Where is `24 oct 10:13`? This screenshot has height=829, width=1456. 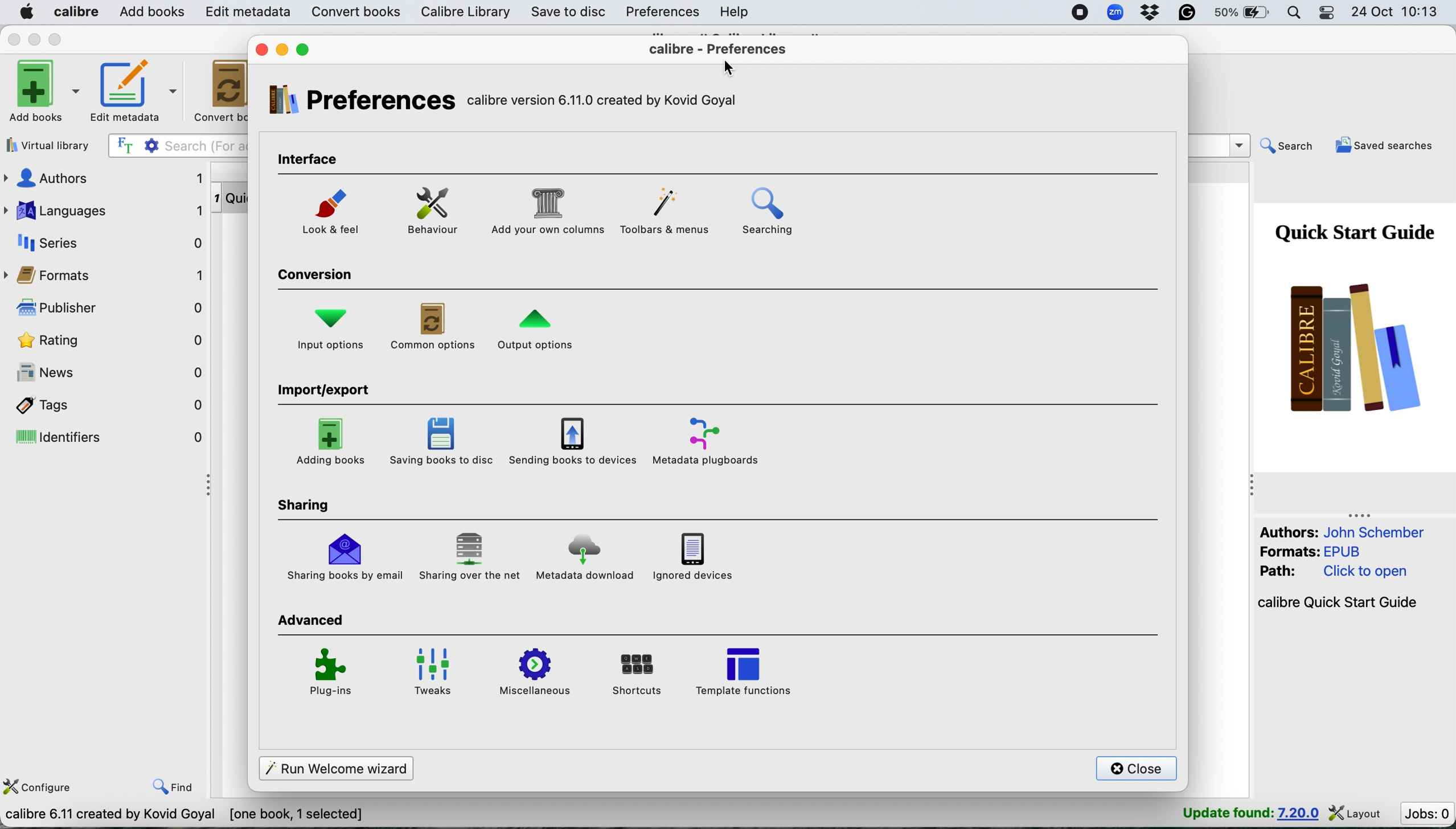 24 oct 10:13 is located at coordinates (1397, 14).